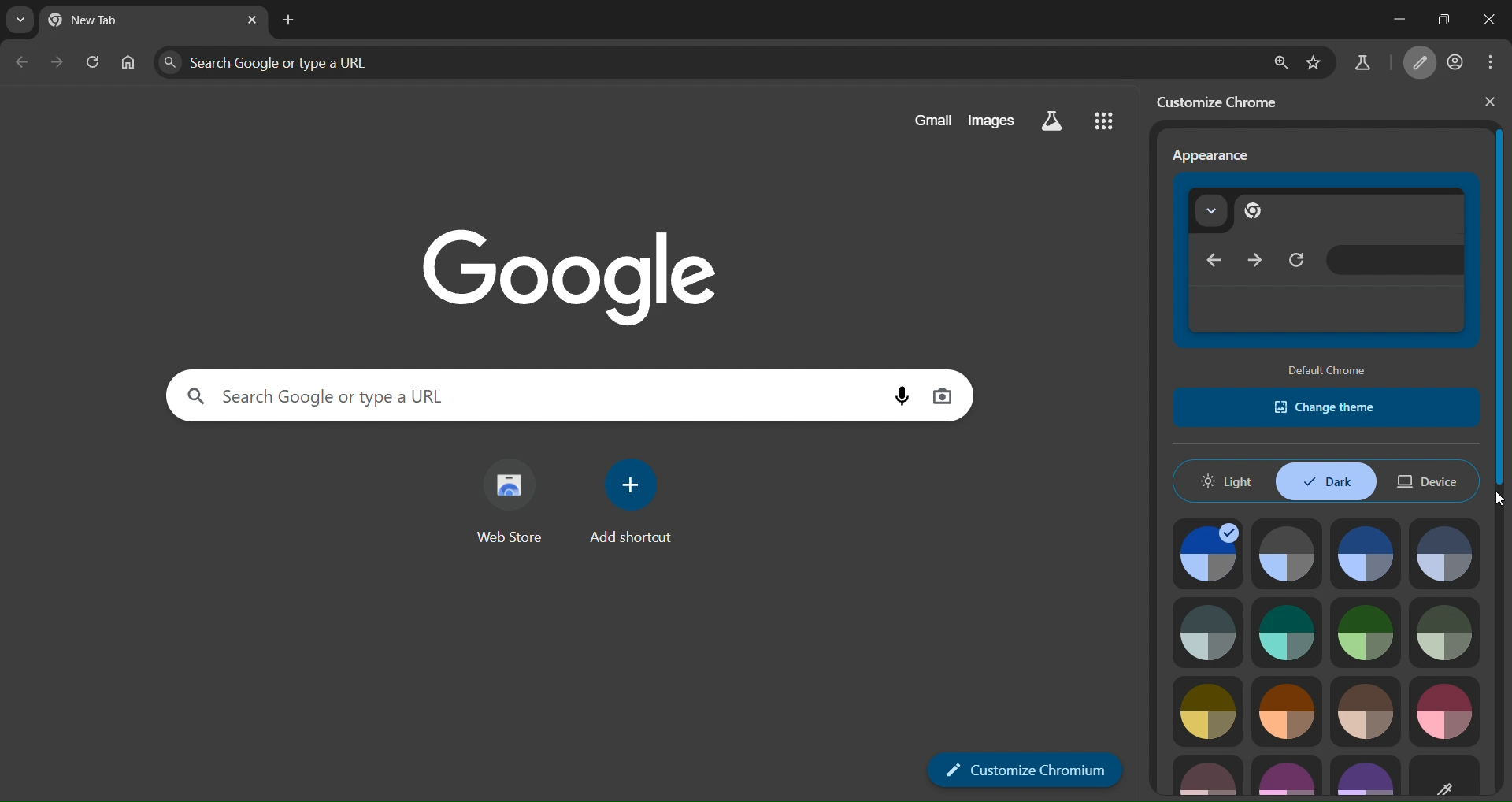  Describe the element at coordinates (128, 65) in the screenshot. I see `home` at that location.